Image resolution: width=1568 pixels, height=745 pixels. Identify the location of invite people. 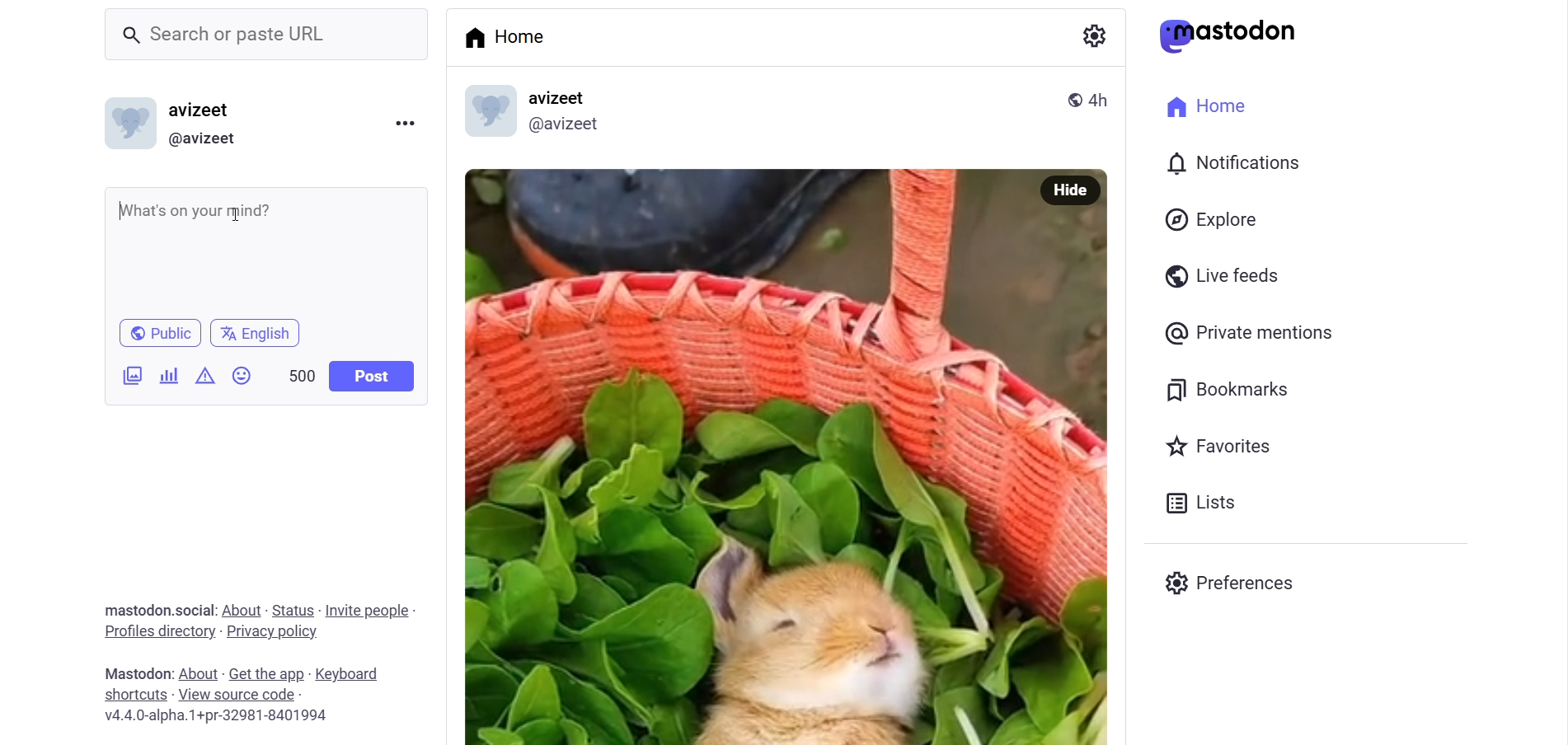
(373, 608).